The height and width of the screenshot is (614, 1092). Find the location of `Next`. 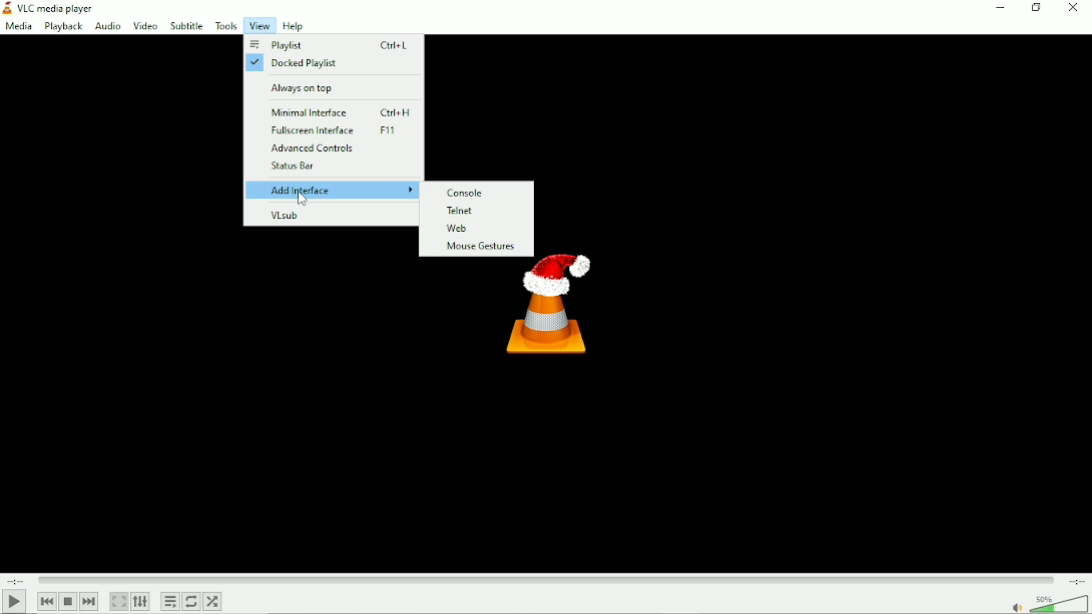

Next is located at coordinates (90, 602).